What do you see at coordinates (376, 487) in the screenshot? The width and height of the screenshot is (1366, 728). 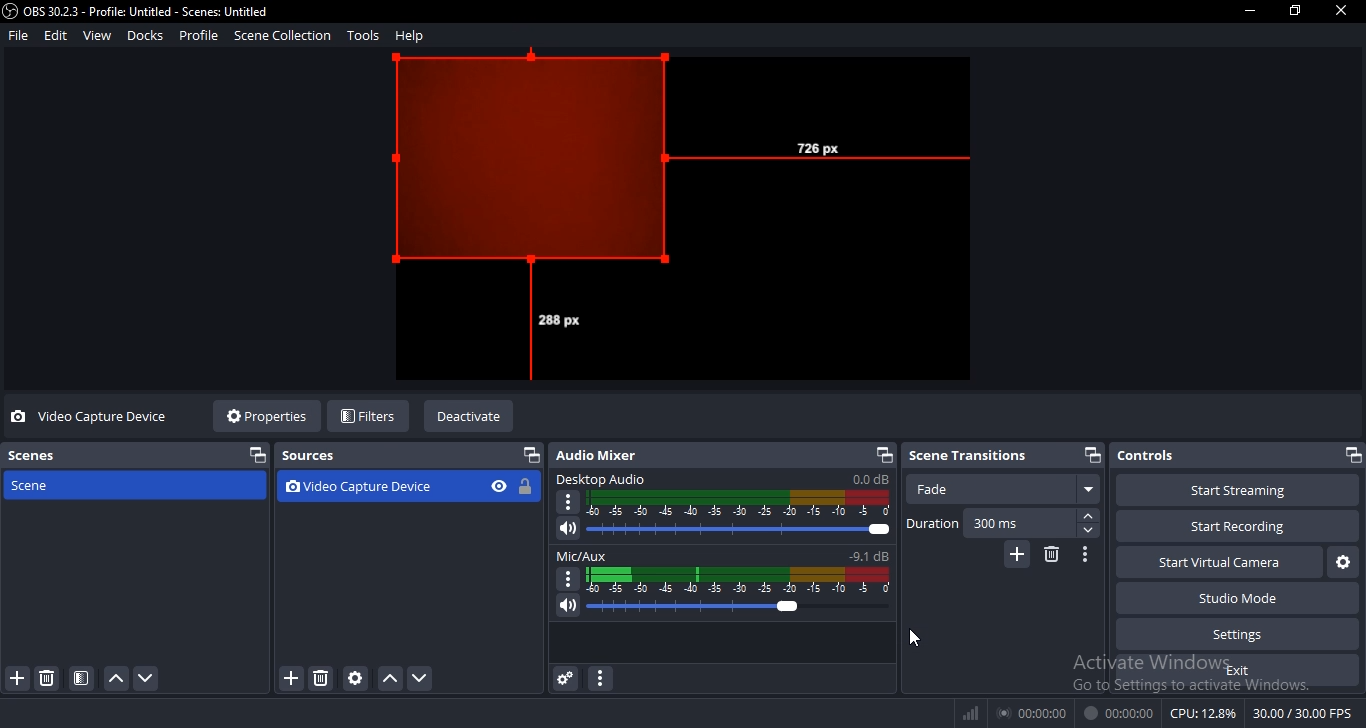 I see `video capture device` at bounding box center [376, 487].